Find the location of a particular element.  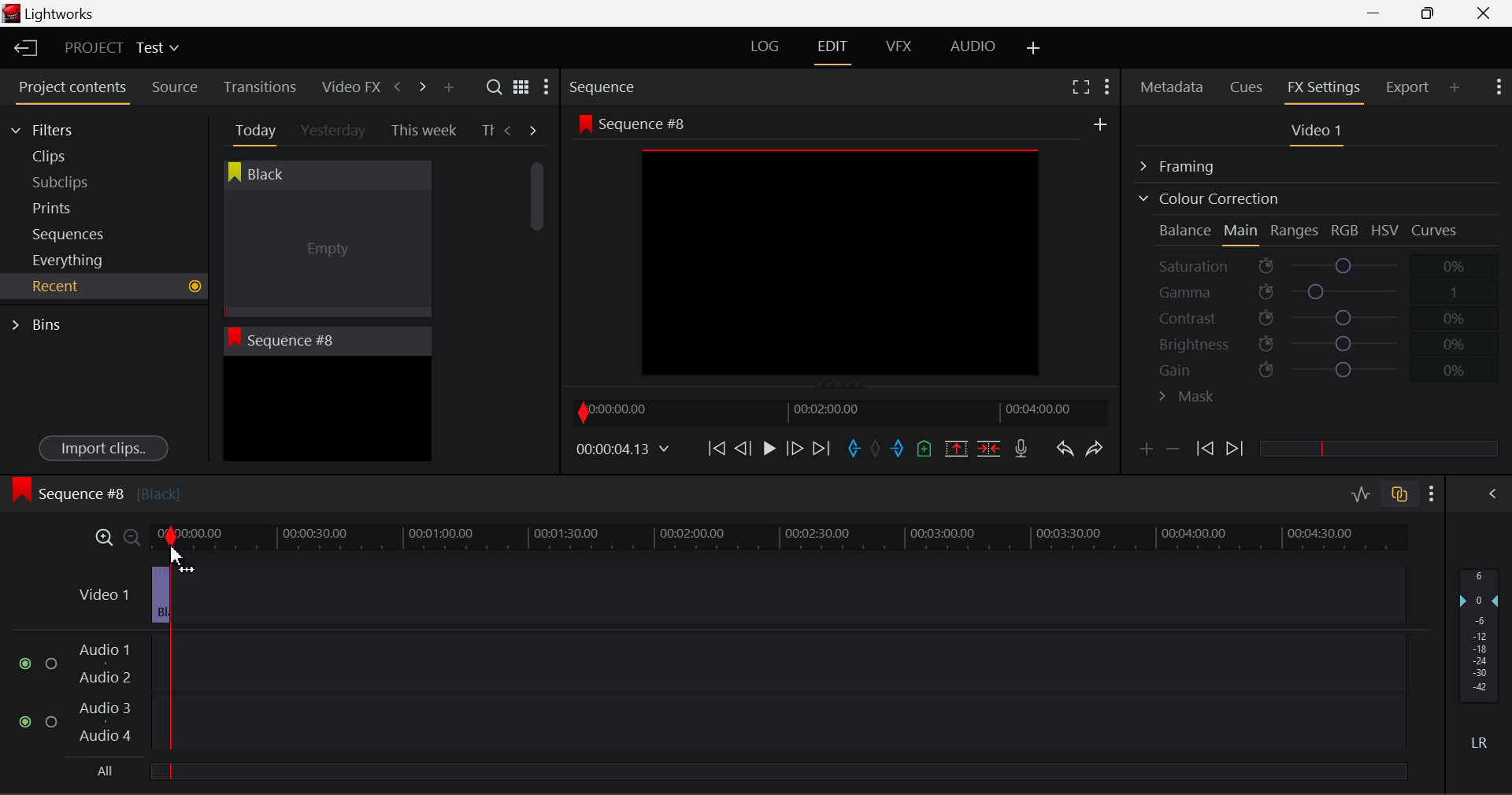

Window Title is located at coordinates (49, 15).